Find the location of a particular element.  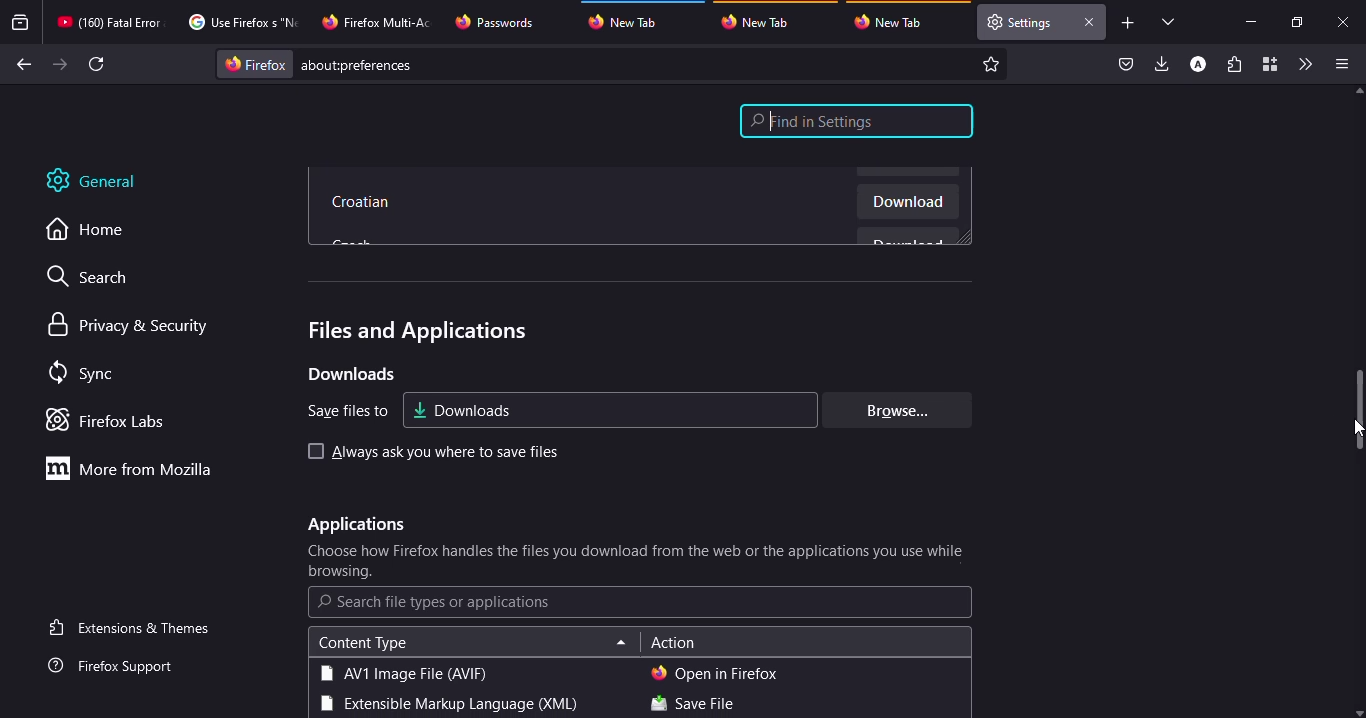

type is located at coordinates (446, 705).